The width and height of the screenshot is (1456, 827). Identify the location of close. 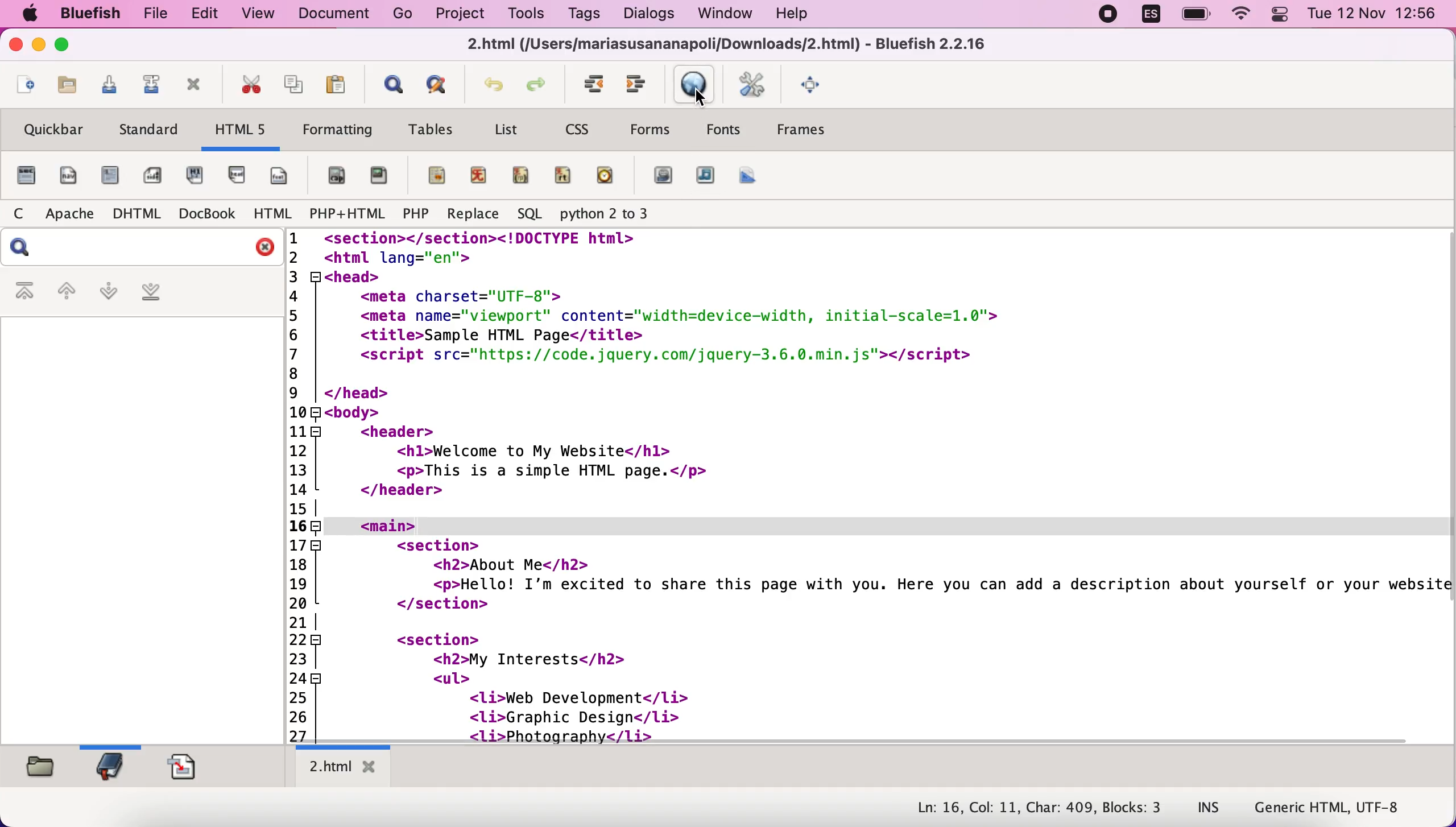
(15, 47).